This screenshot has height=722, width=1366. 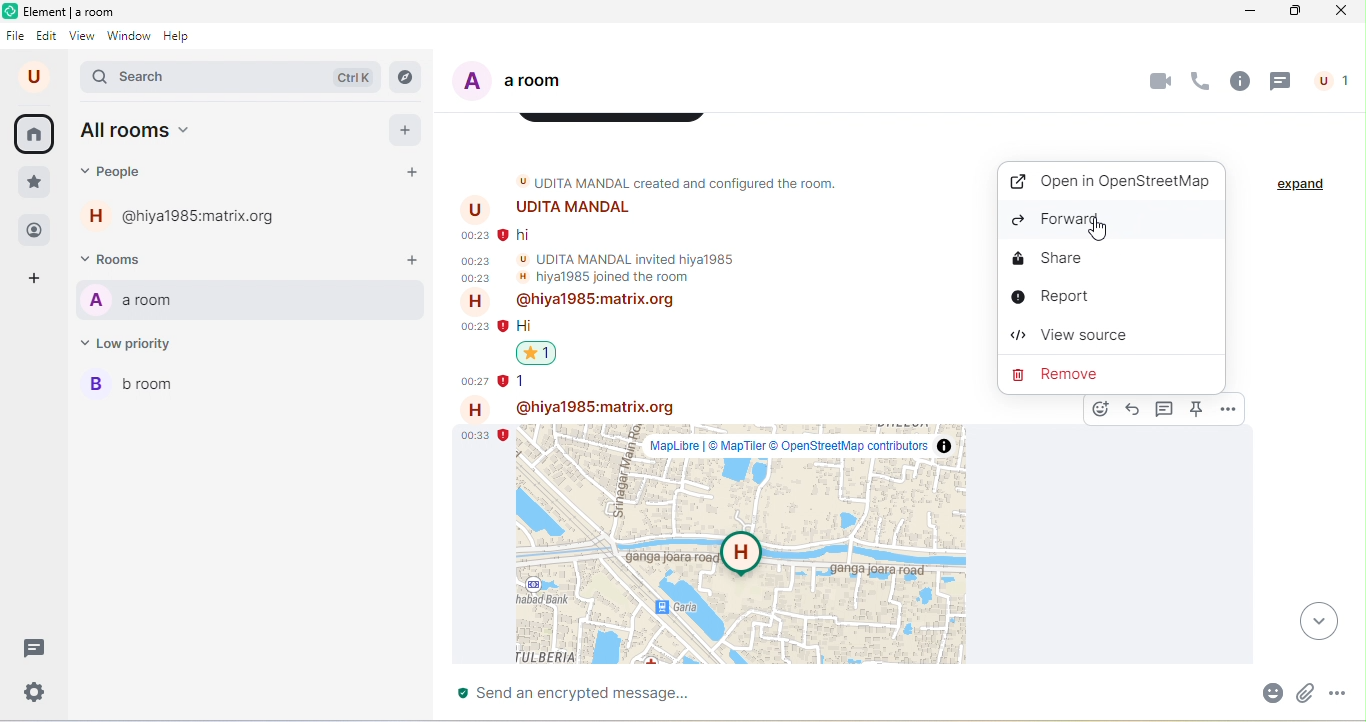 I want to click on reply, so click(x=1133, y=411).